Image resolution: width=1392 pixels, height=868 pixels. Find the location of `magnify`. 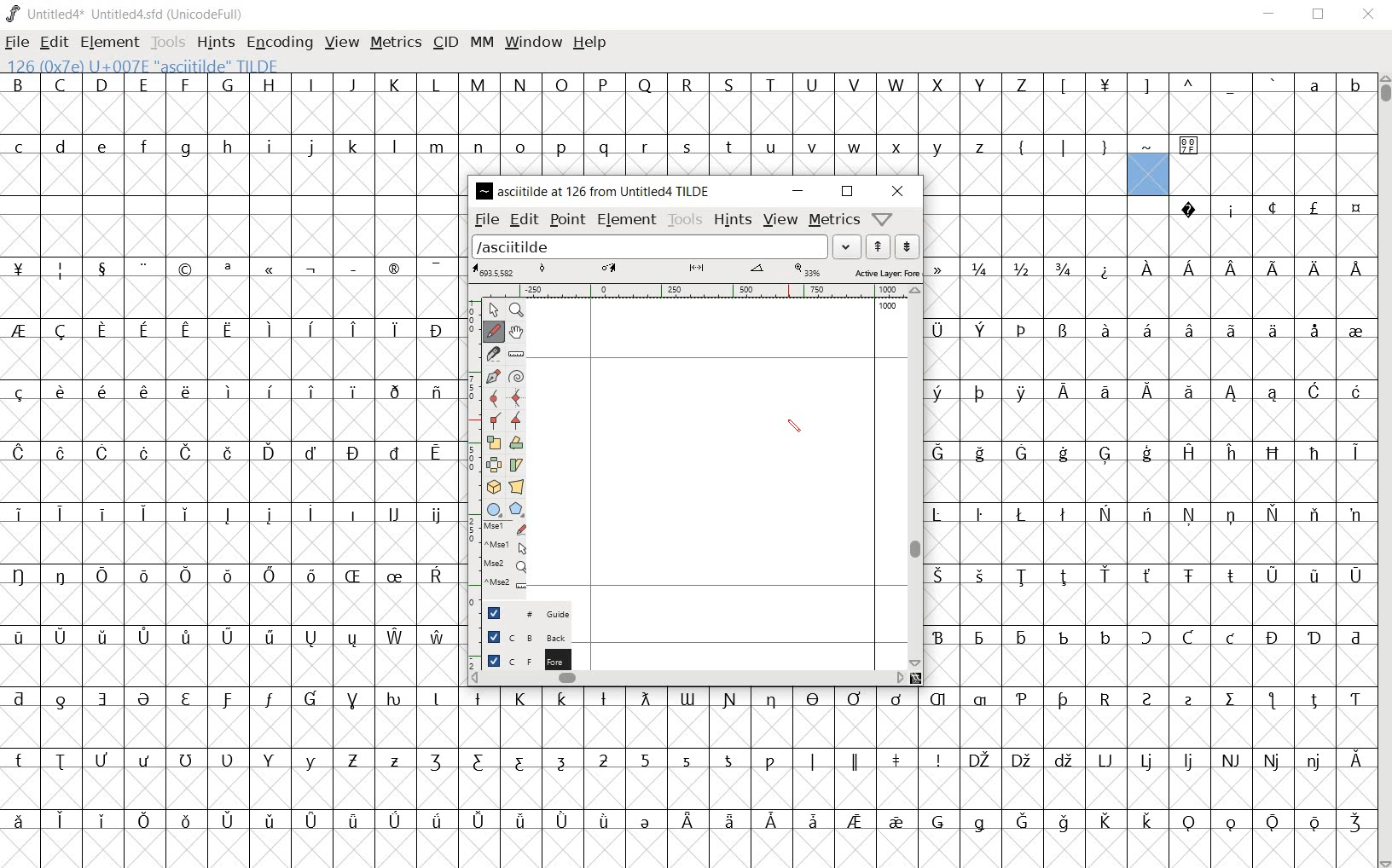

magnify is located at coordinates (519, 310).